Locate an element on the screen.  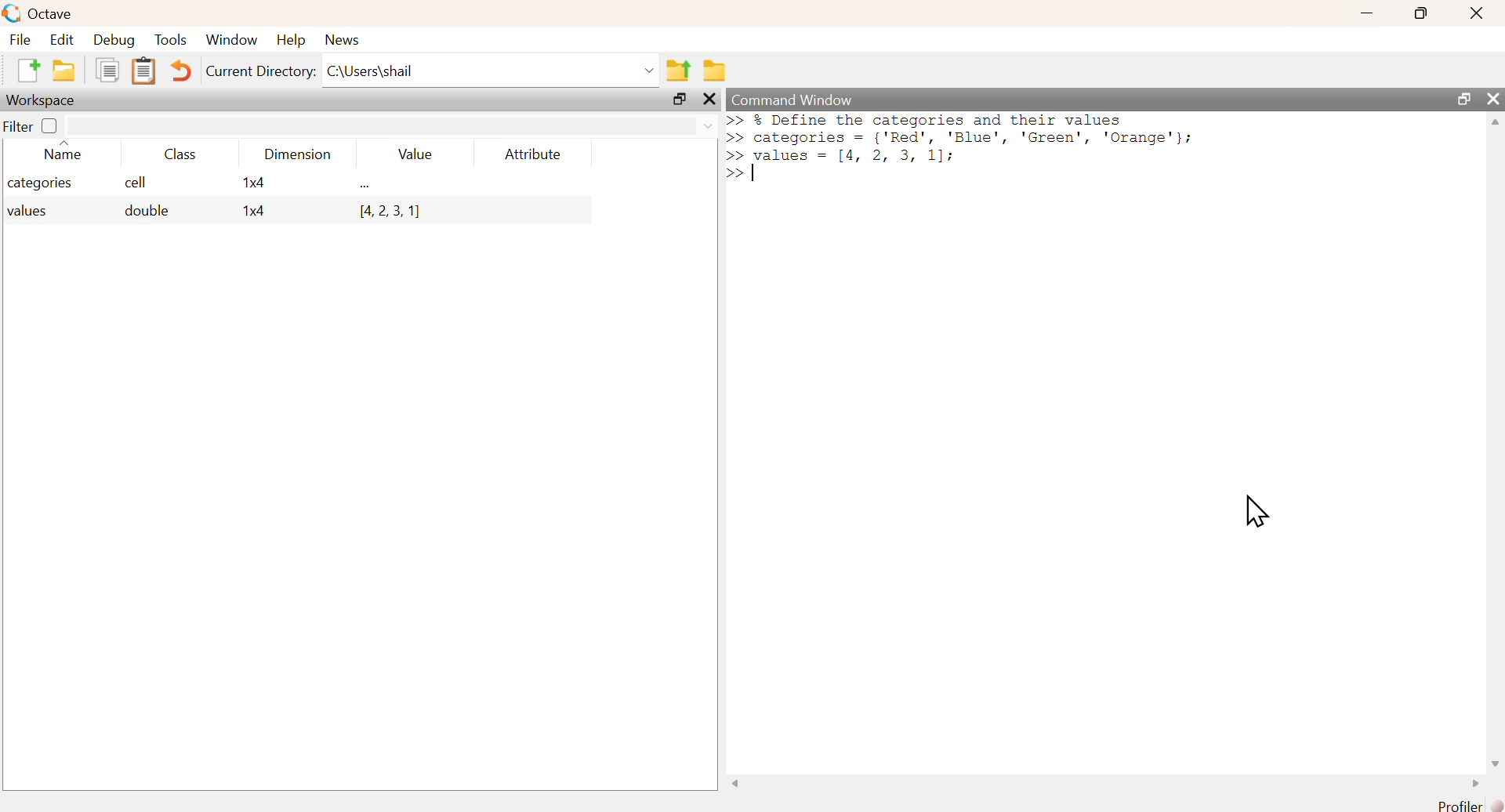
maximize is located at coordinates (678, 99).